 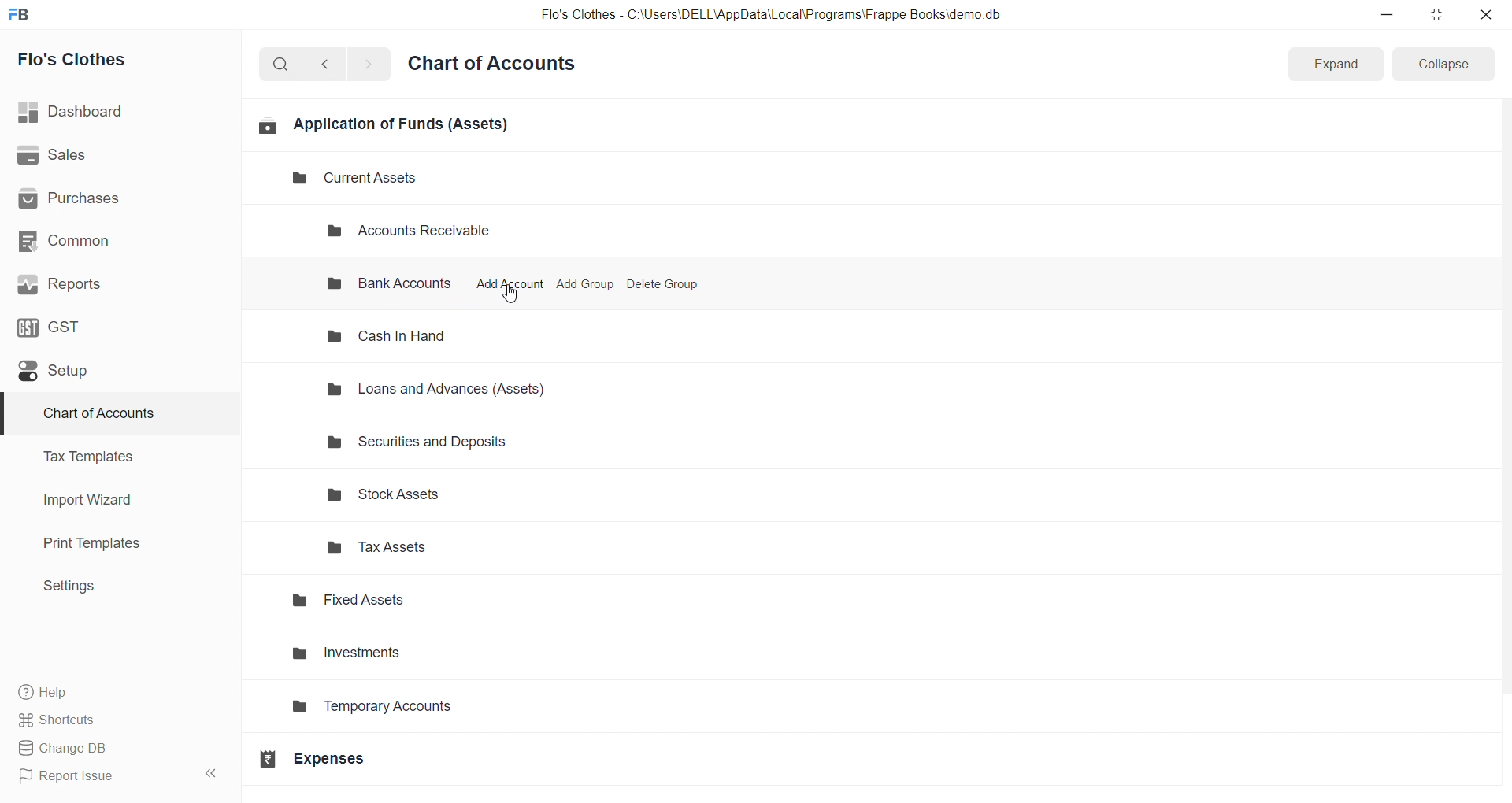 I want to click on Add Group, so click(x=587, y=284).